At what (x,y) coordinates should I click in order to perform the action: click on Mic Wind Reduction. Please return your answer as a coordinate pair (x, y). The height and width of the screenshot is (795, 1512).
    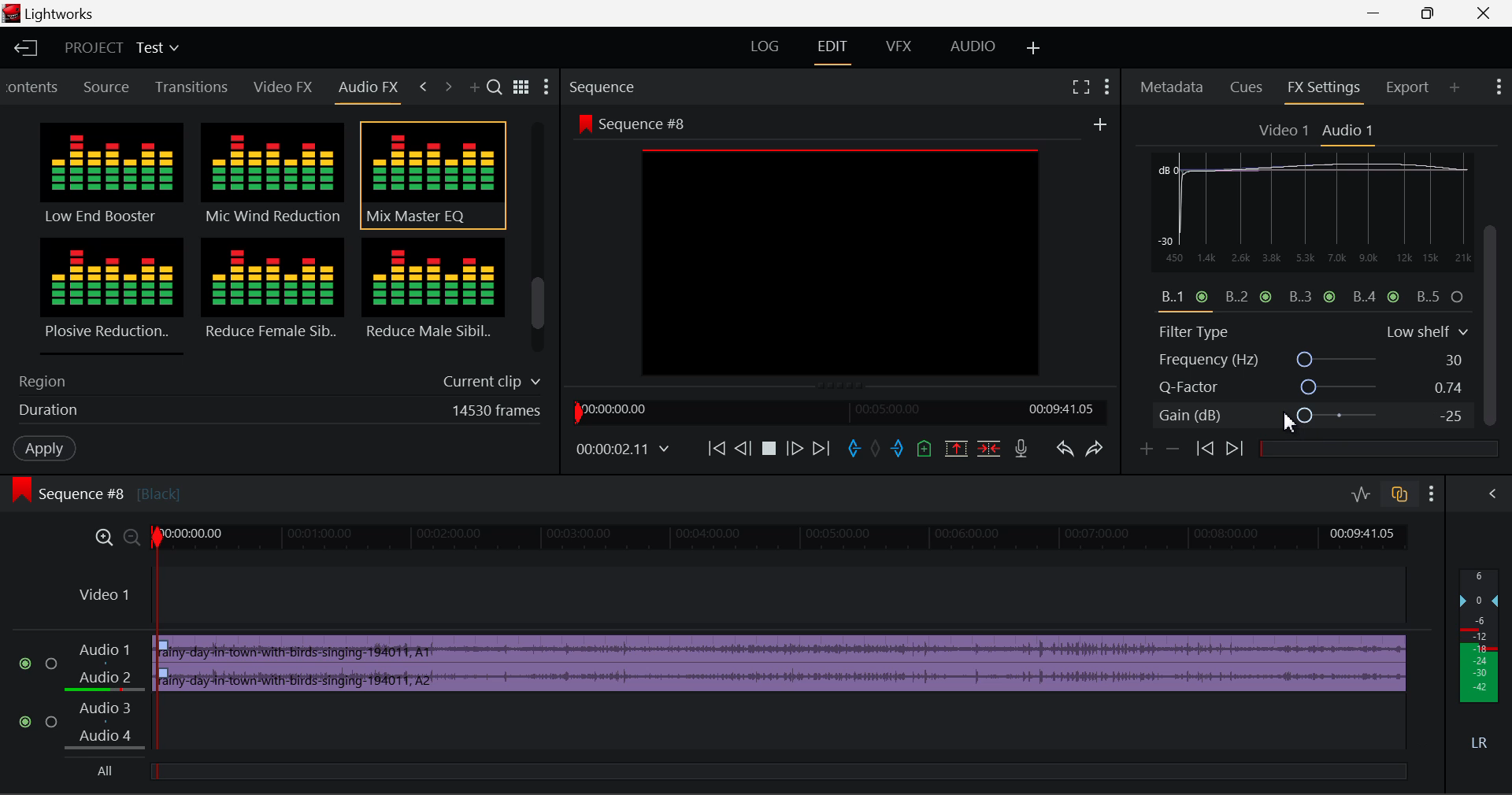
    Looking at the image, I should click on (273, 176).